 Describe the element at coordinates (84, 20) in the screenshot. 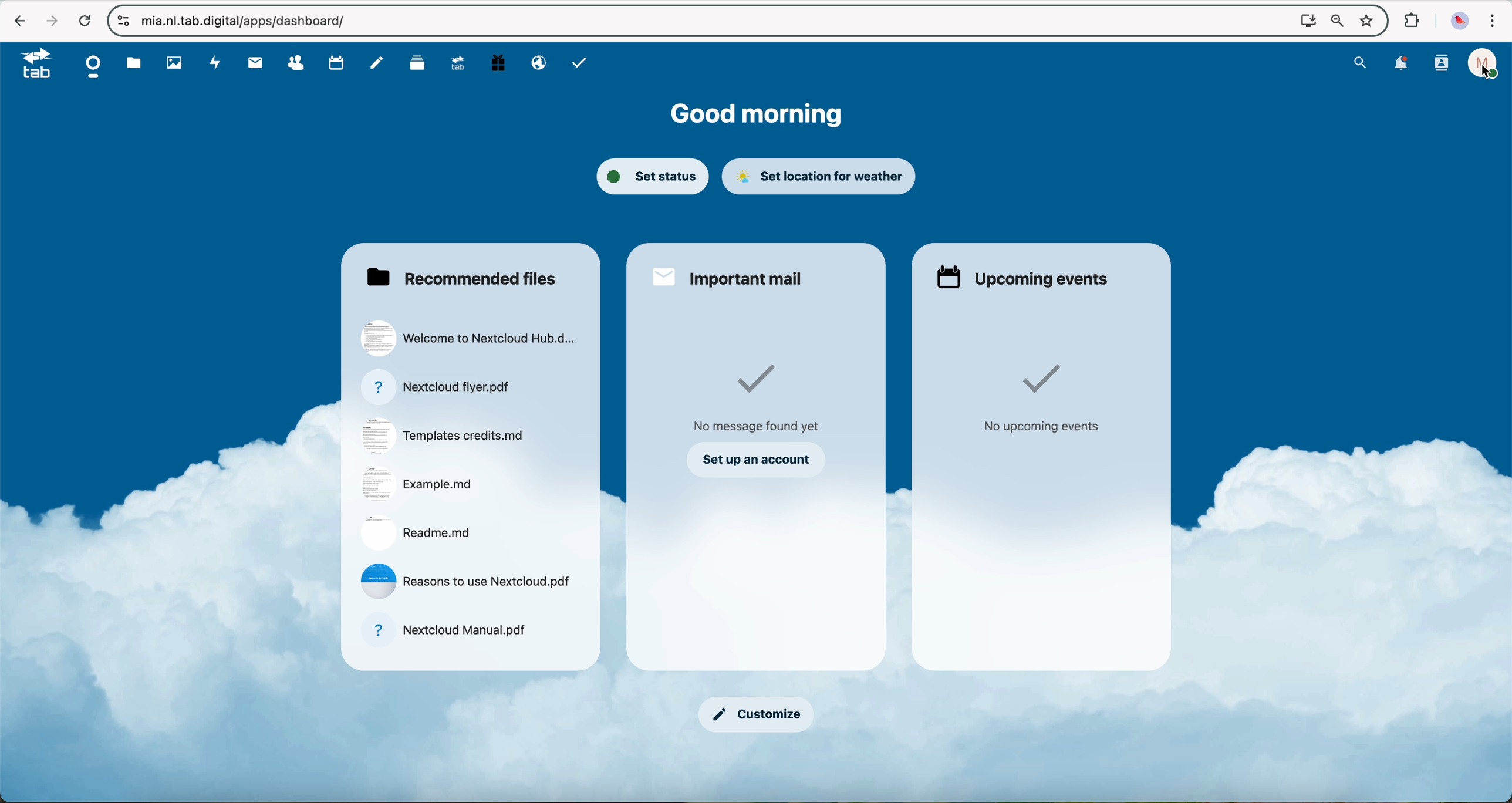

I see `refresh the page` at that location.